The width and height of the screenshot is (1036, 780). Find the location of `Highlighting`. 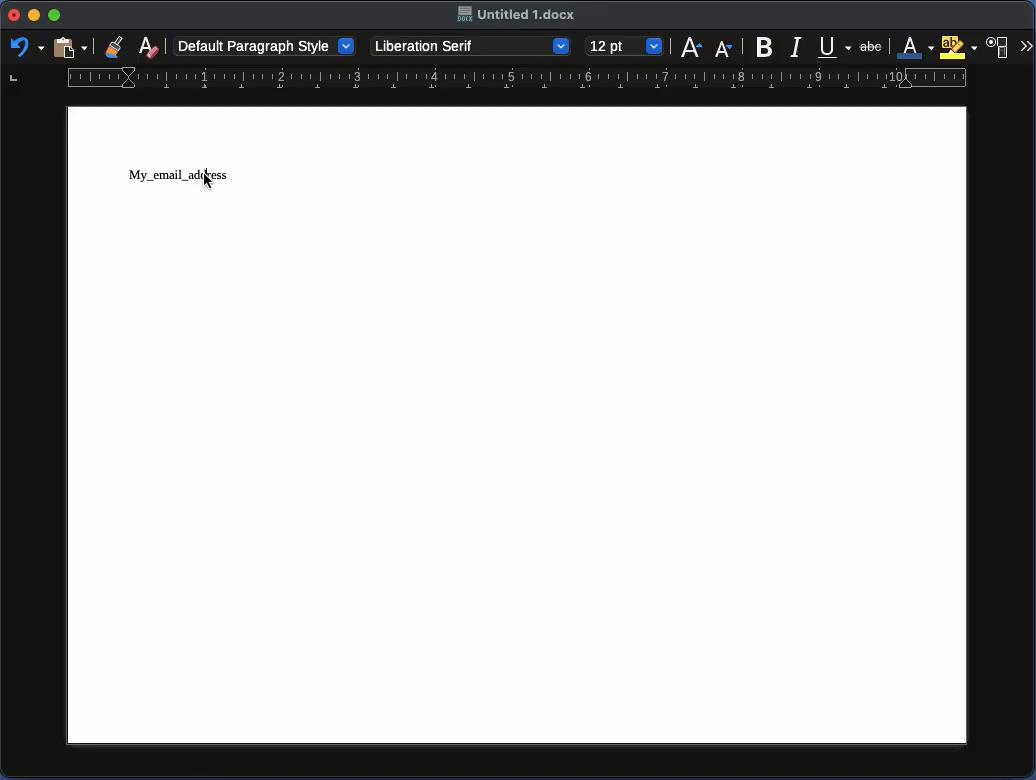

Highlighting is located at coordinates (958, 47).